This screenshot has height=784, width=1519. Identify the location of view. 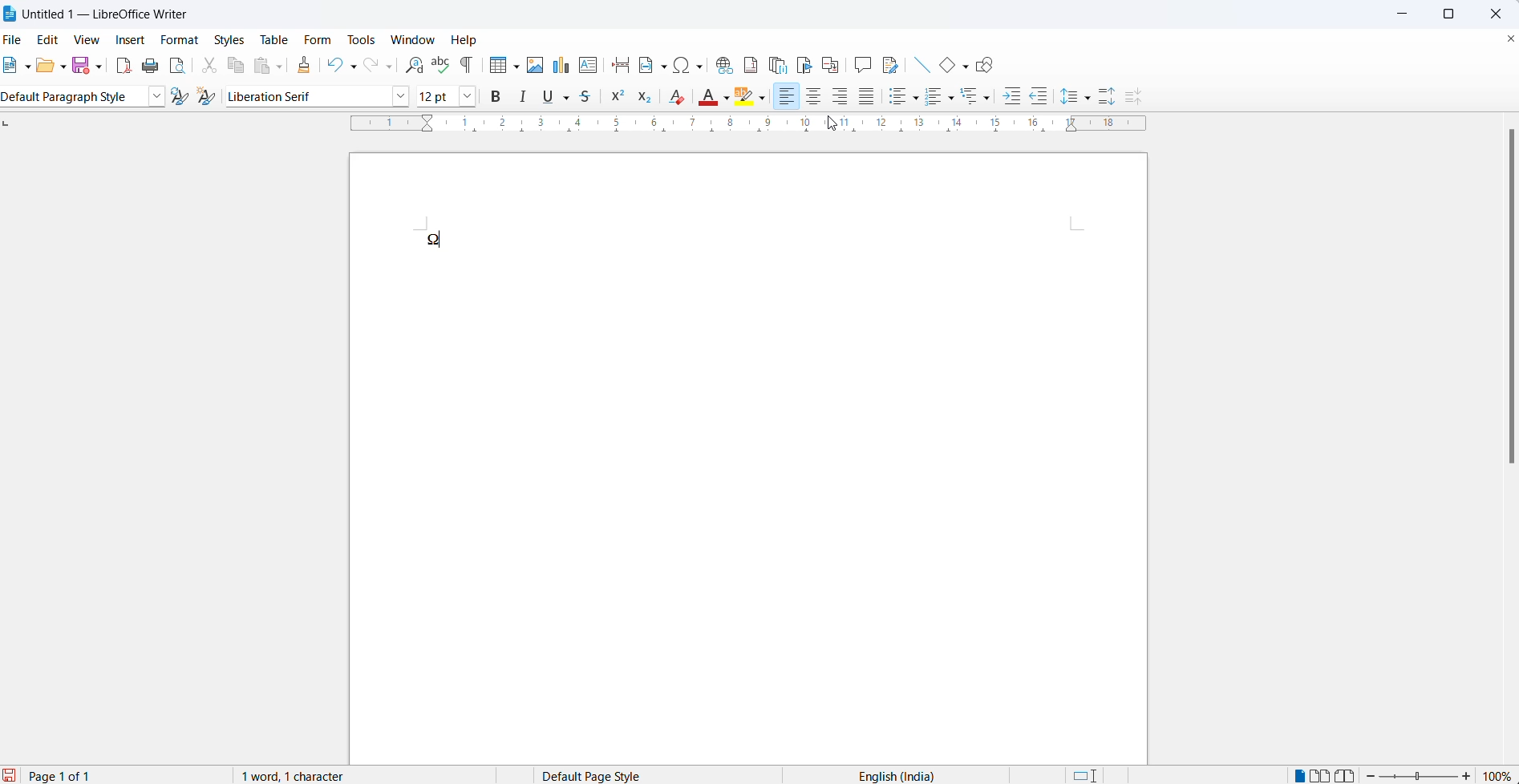
(91, 40).